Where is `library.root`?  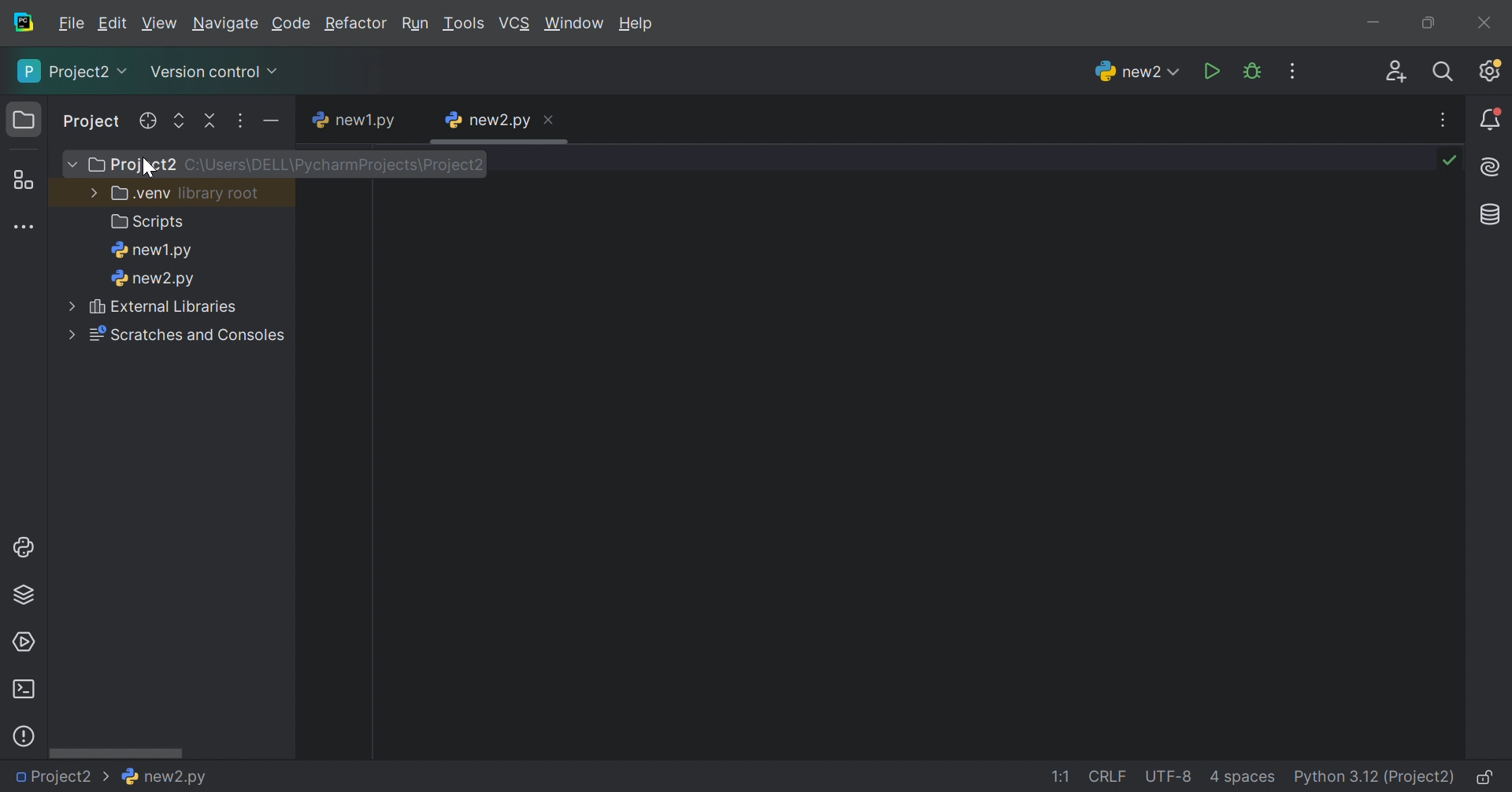 library.root is located at coordinates (218, 196).